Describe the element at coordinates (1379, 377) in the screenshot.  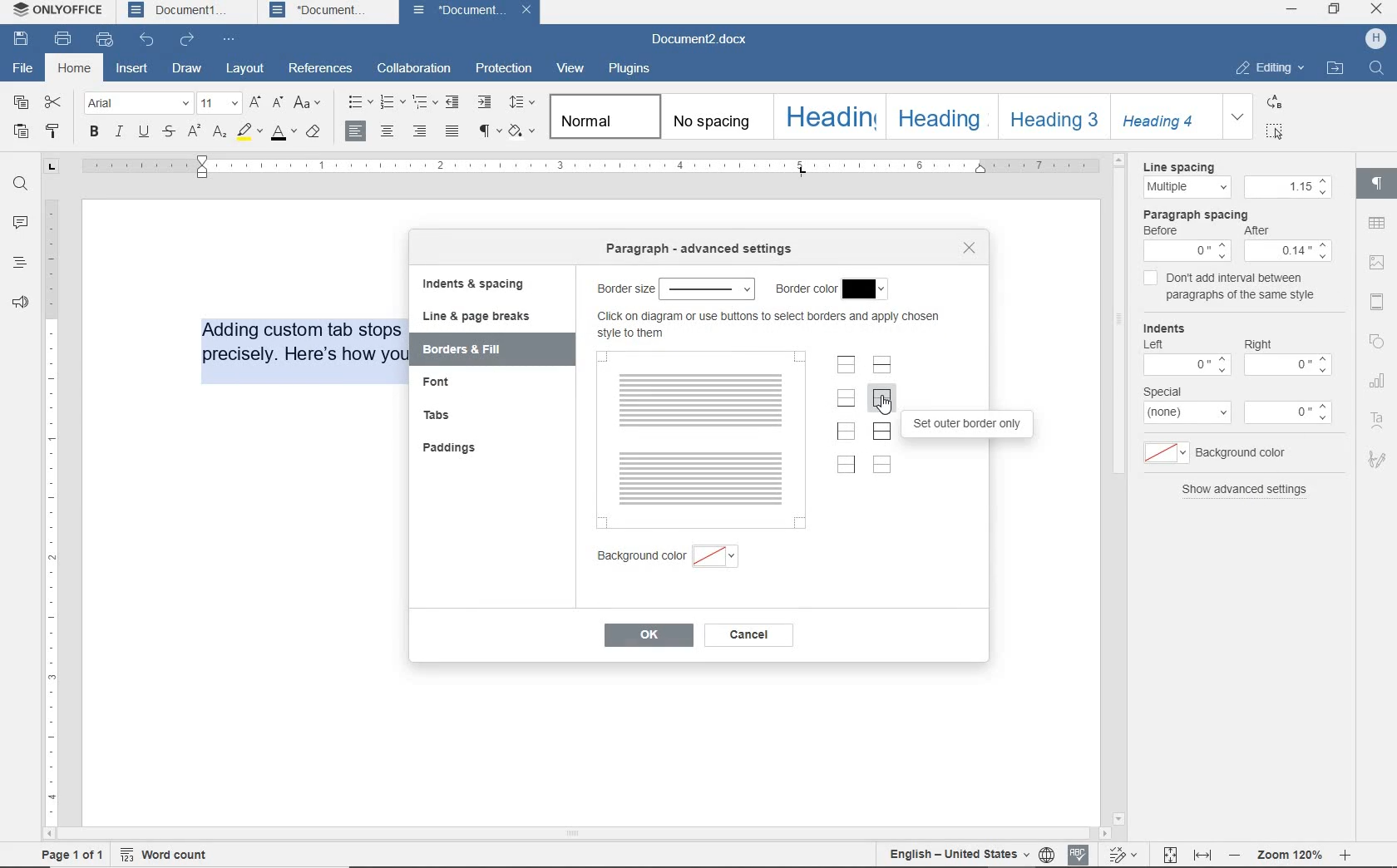
I see `chart` at that location.